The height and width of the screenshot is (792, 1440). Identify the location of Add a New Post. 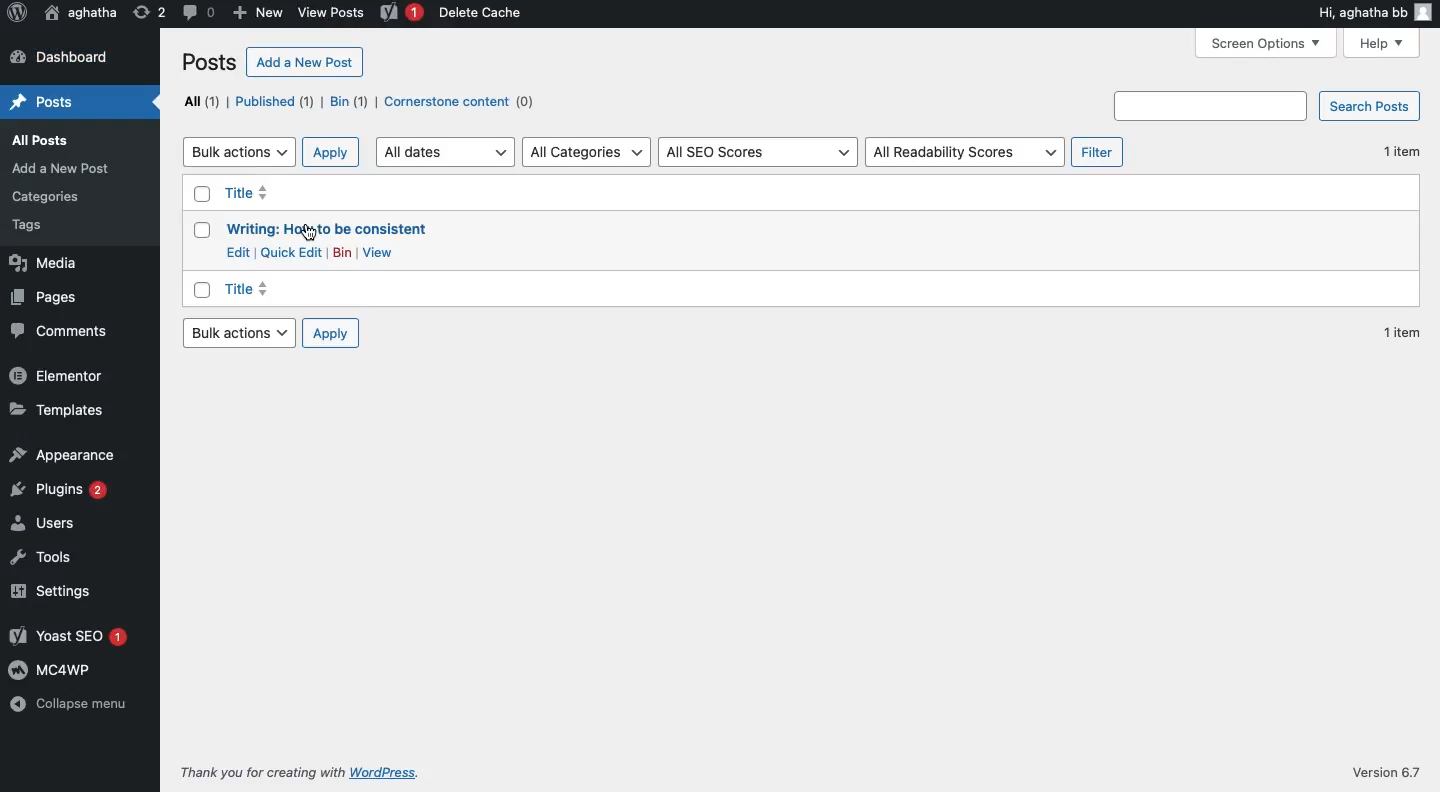
(313, 63).